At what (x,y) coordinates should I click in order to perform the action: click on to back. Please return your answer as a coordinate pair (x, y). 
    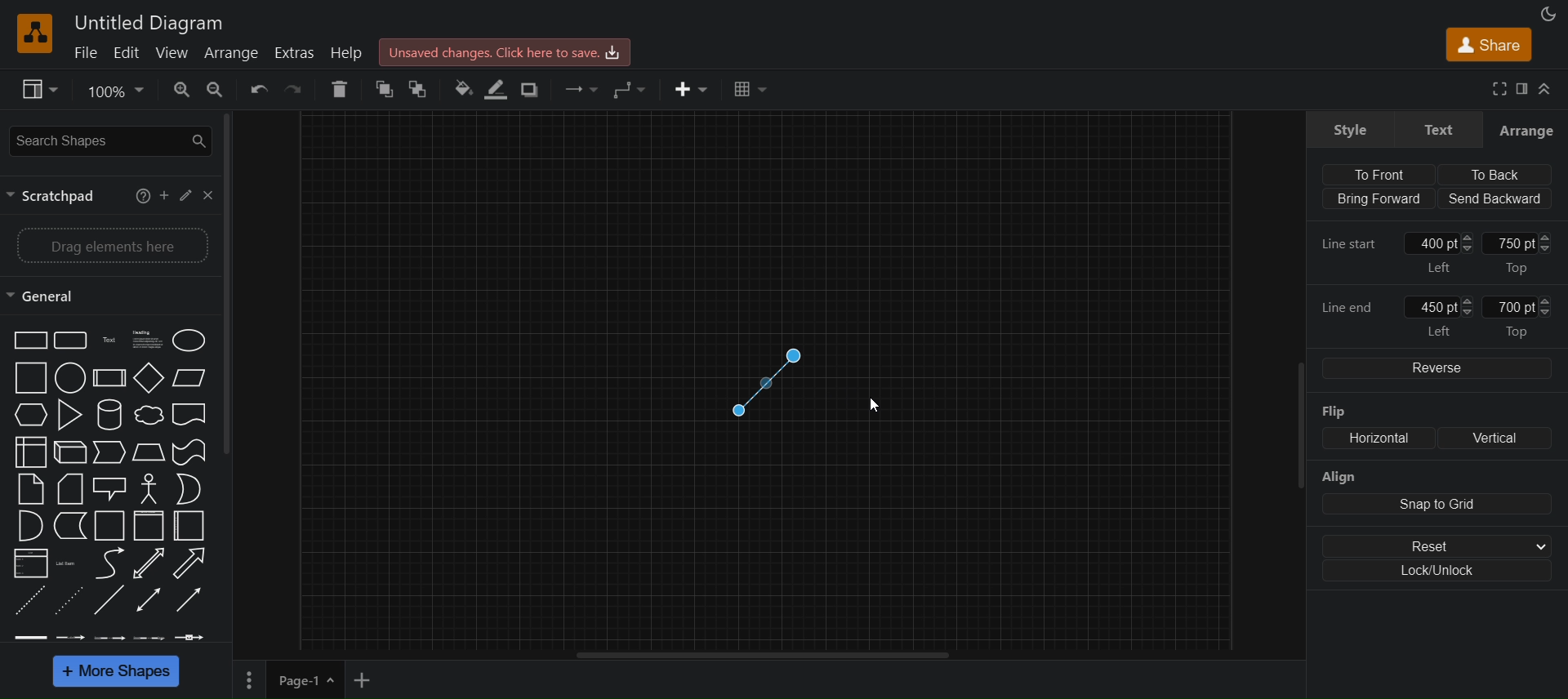
    Looking at the image, I should click on (419, 89).